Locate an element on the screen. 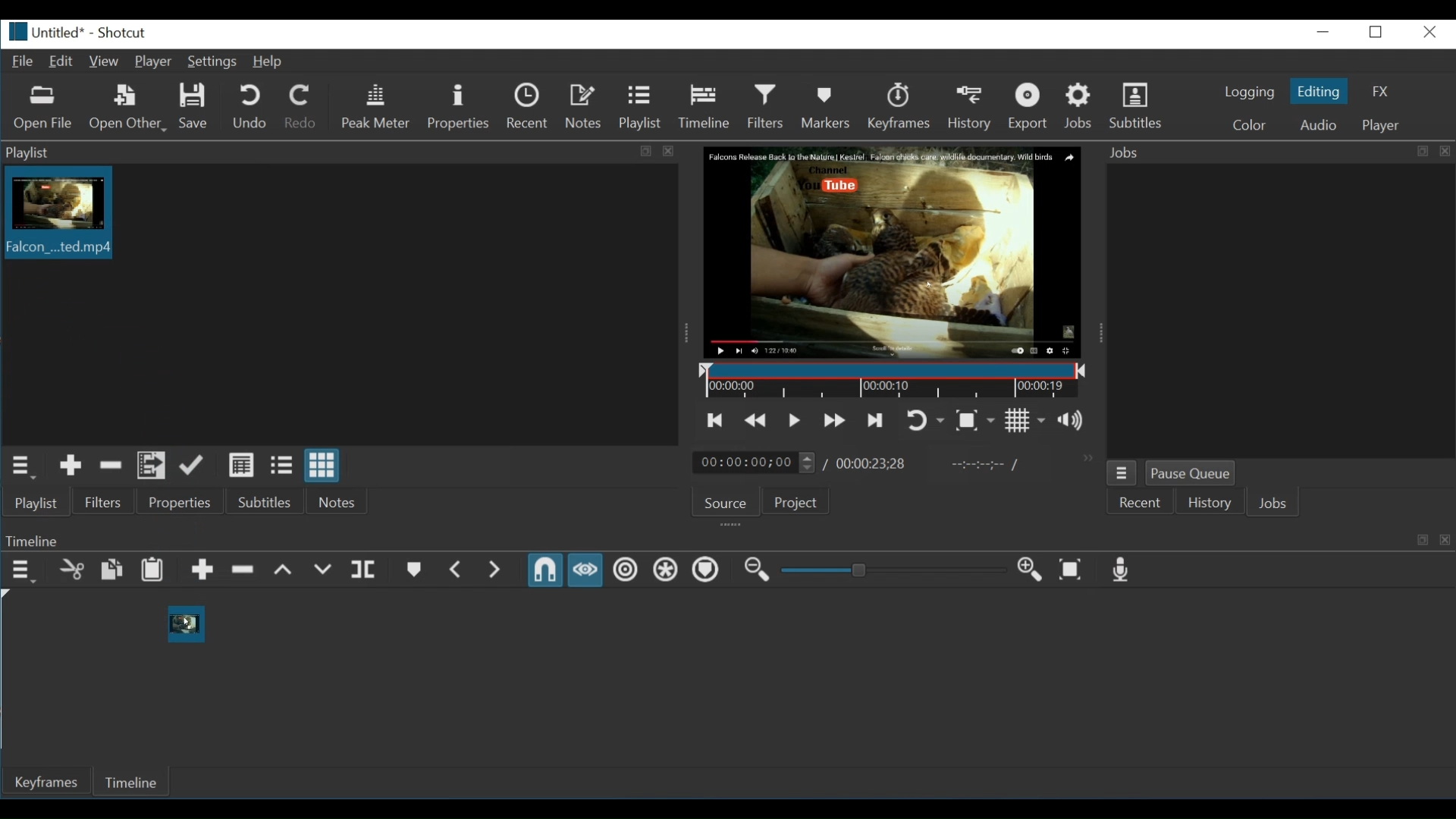 This screenshot has height=819, width=1456. Keyframe is located at coordinates (49, 783).